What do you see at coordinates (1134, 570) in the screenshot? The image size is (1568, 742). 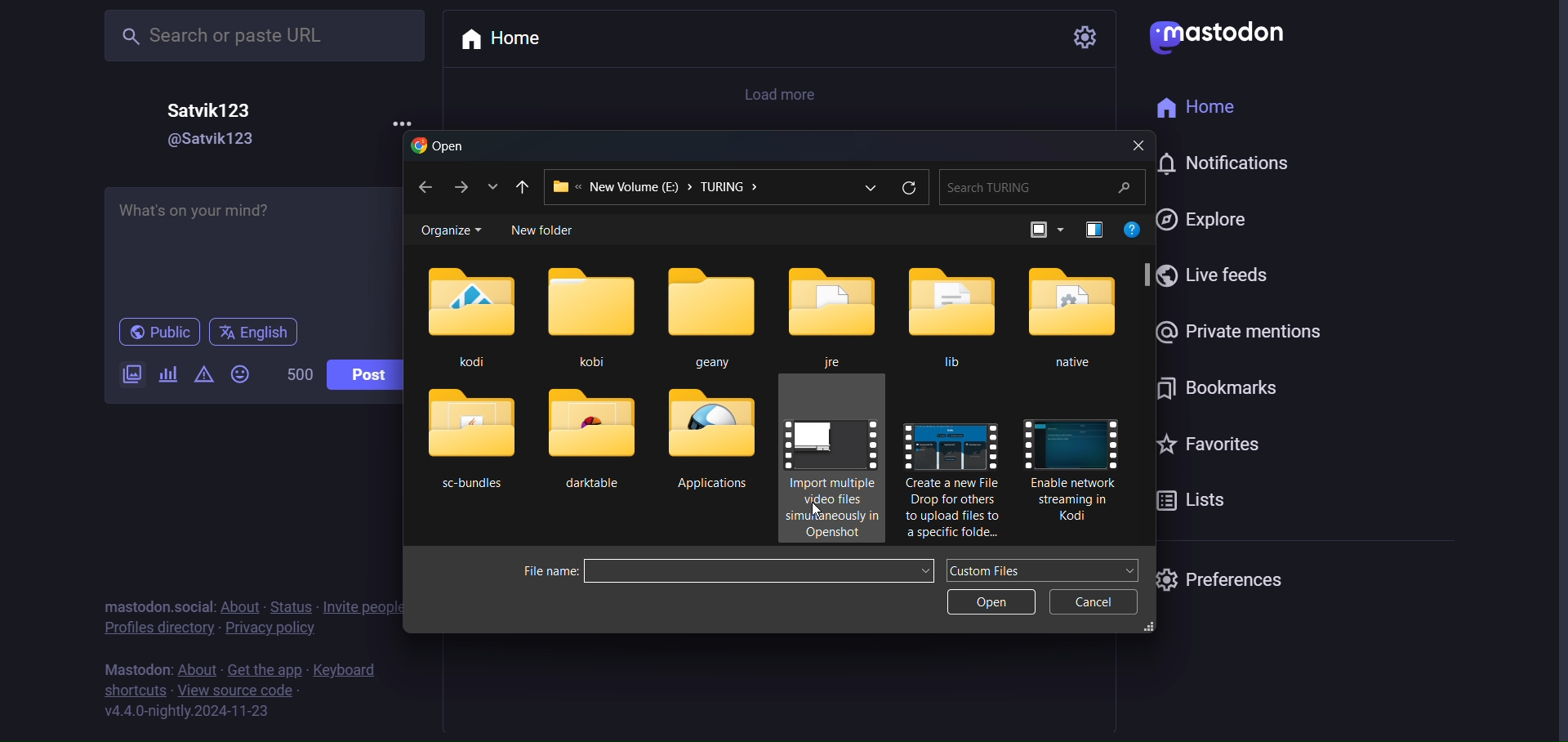 I see `dropdown` at bounding box center [1134, 570].